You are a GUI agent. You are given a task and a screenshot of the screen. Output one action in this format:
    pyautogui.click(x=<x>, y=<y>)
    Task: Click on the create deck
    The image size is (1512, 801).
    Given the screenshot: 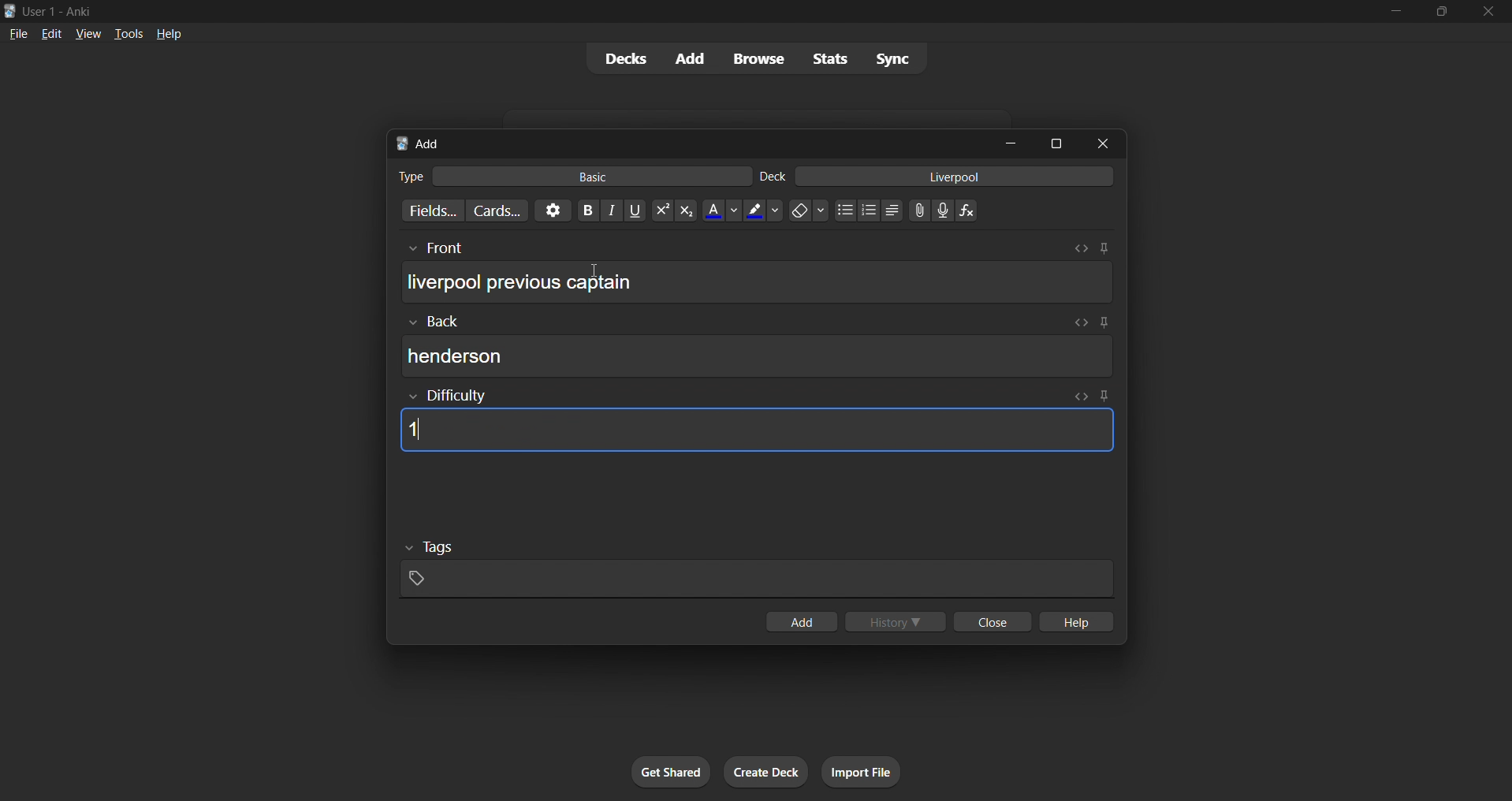 What is the action you would take?
    pyautogui.click(x=767, y=773)
    